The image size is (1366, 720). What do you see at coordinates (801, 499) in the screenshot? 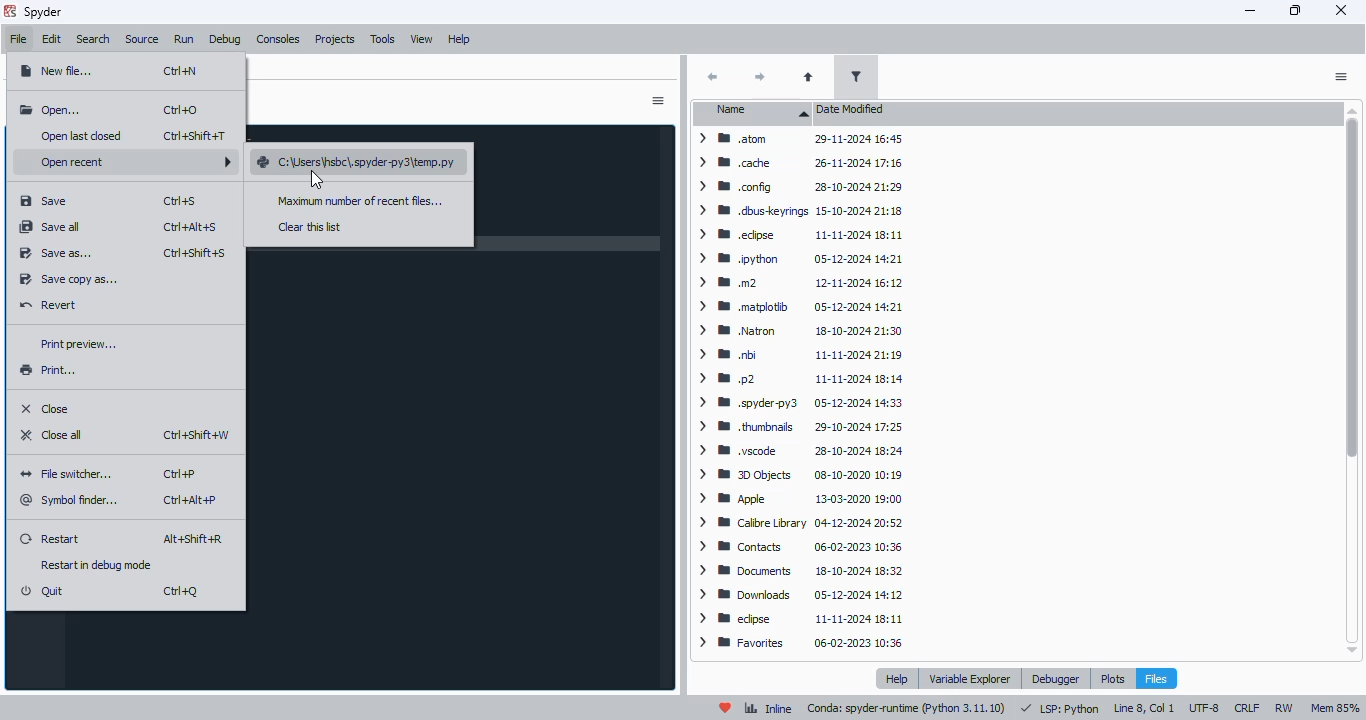
I see `> Wm Apple 13-03-2020 19:00` at bounding box center [801, 499].